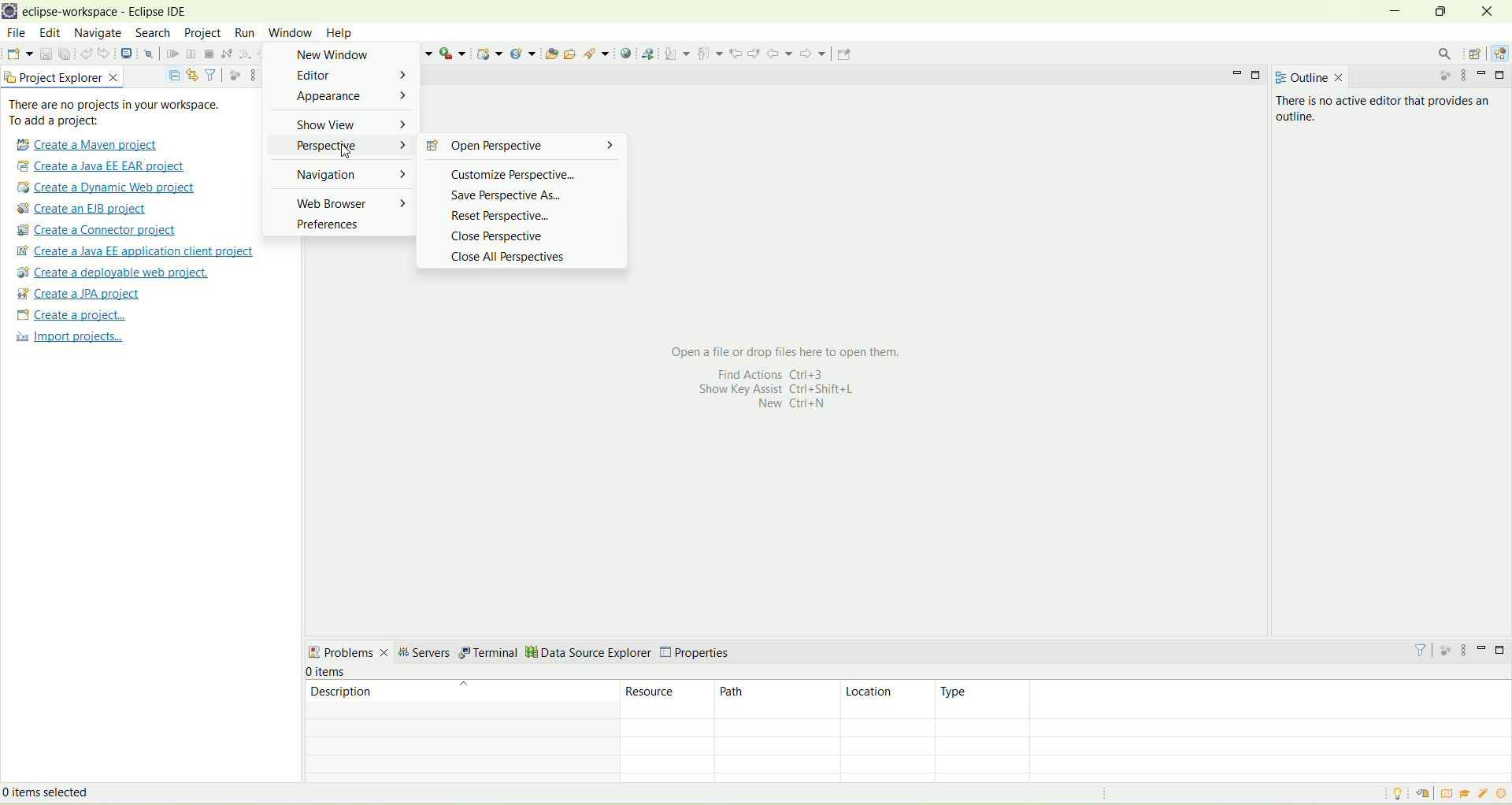 The image size is (1512, 805). Describe the element at coordinates (500, 239) in the screenshot. I see `close perspective` at that location.